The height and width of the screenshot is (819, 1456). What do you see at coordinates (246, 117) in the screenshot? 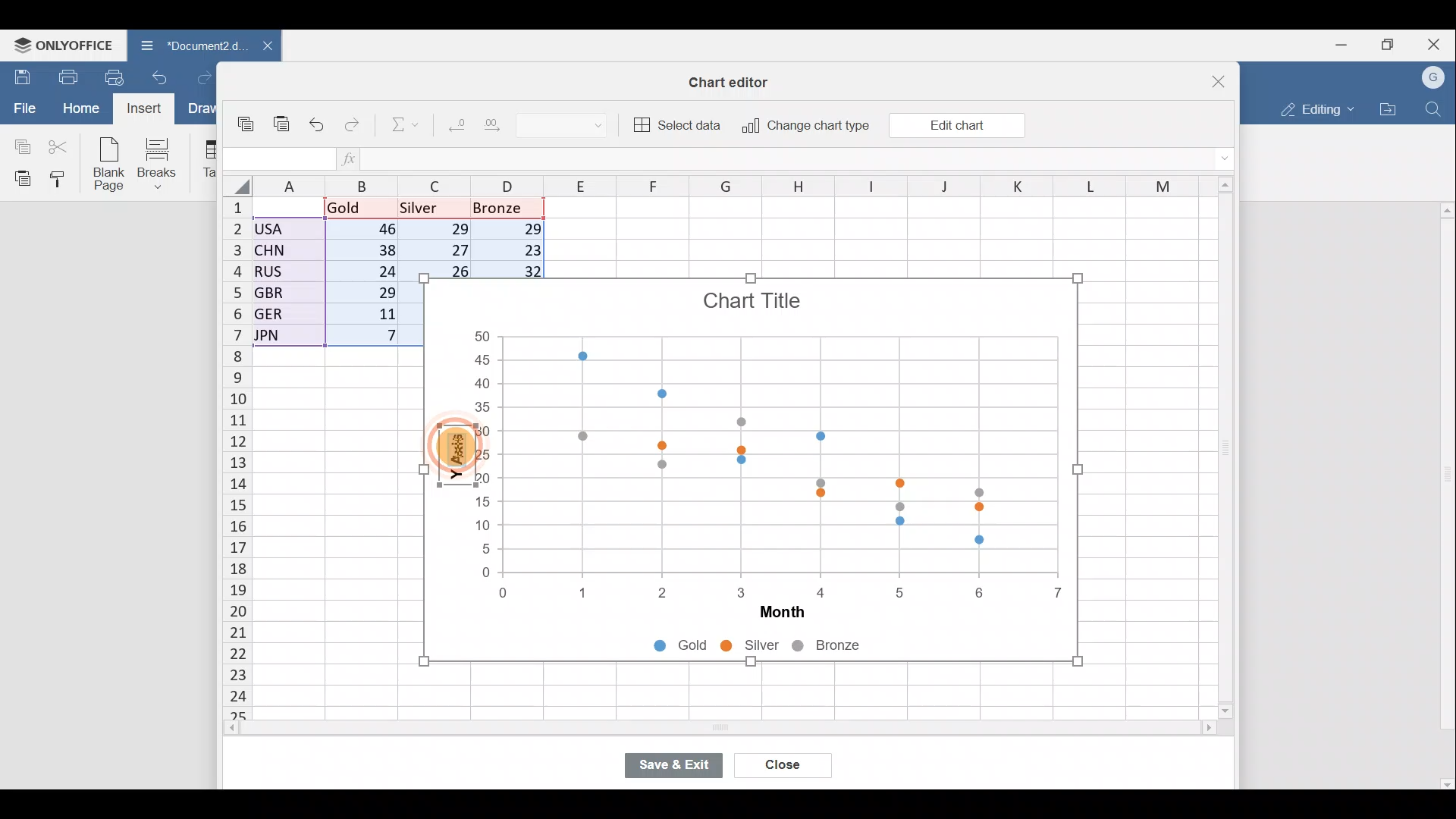
I see `Copy` at bounding box center [246, 117].